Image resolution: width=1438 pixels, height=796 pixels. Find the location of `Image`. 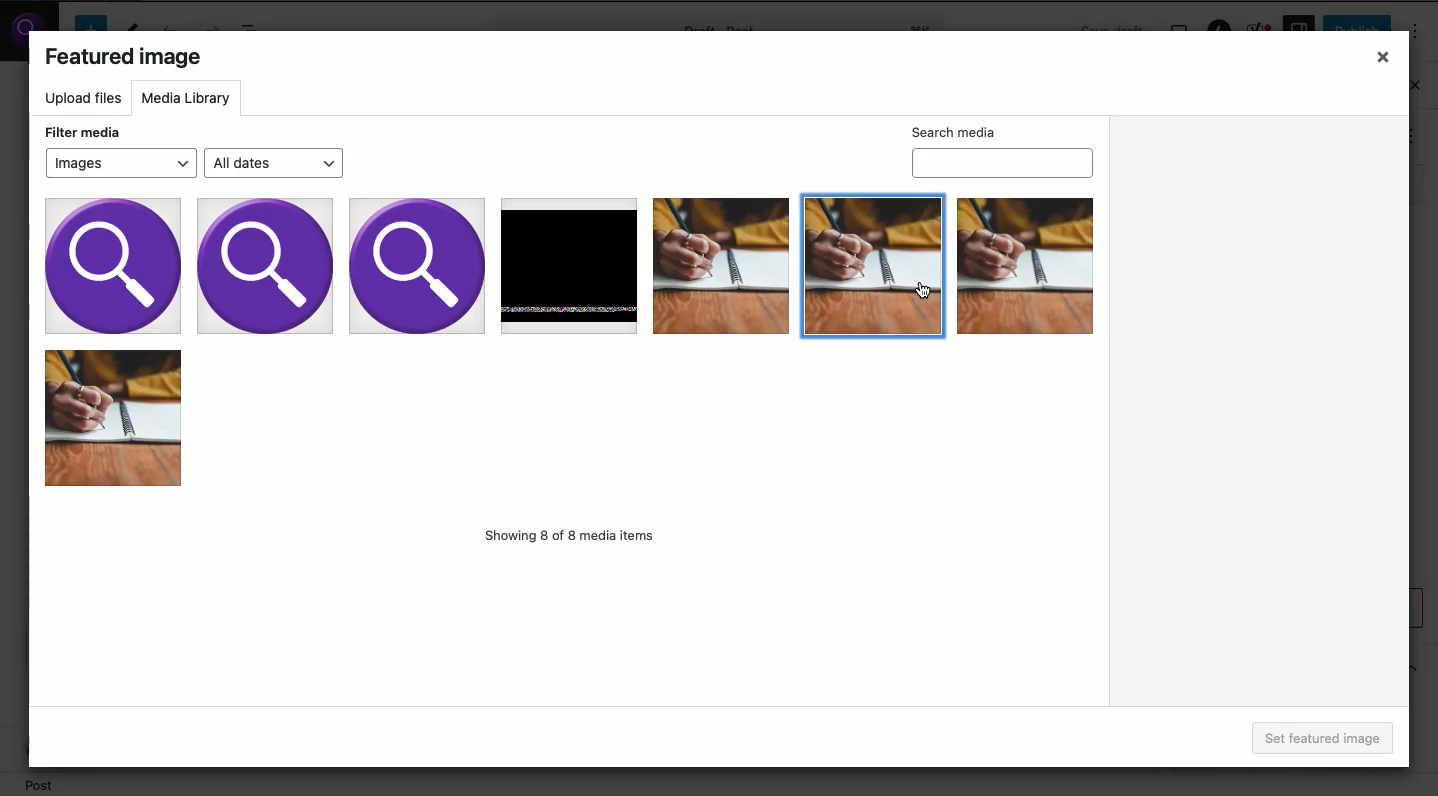

Image is located at coordinates (264, 266).